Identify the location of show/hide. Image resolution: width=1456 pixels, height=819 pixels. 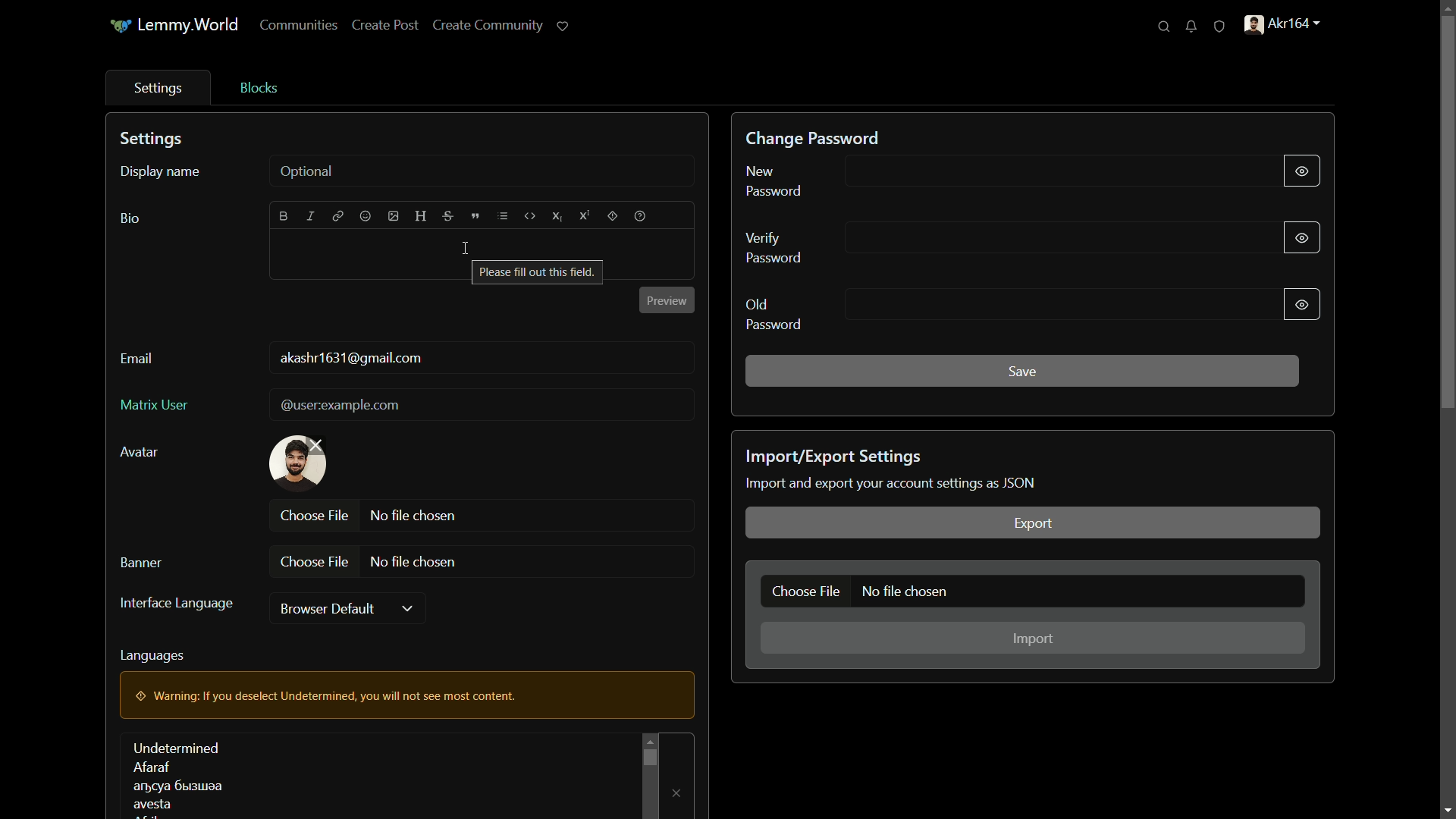
(1304, 306).